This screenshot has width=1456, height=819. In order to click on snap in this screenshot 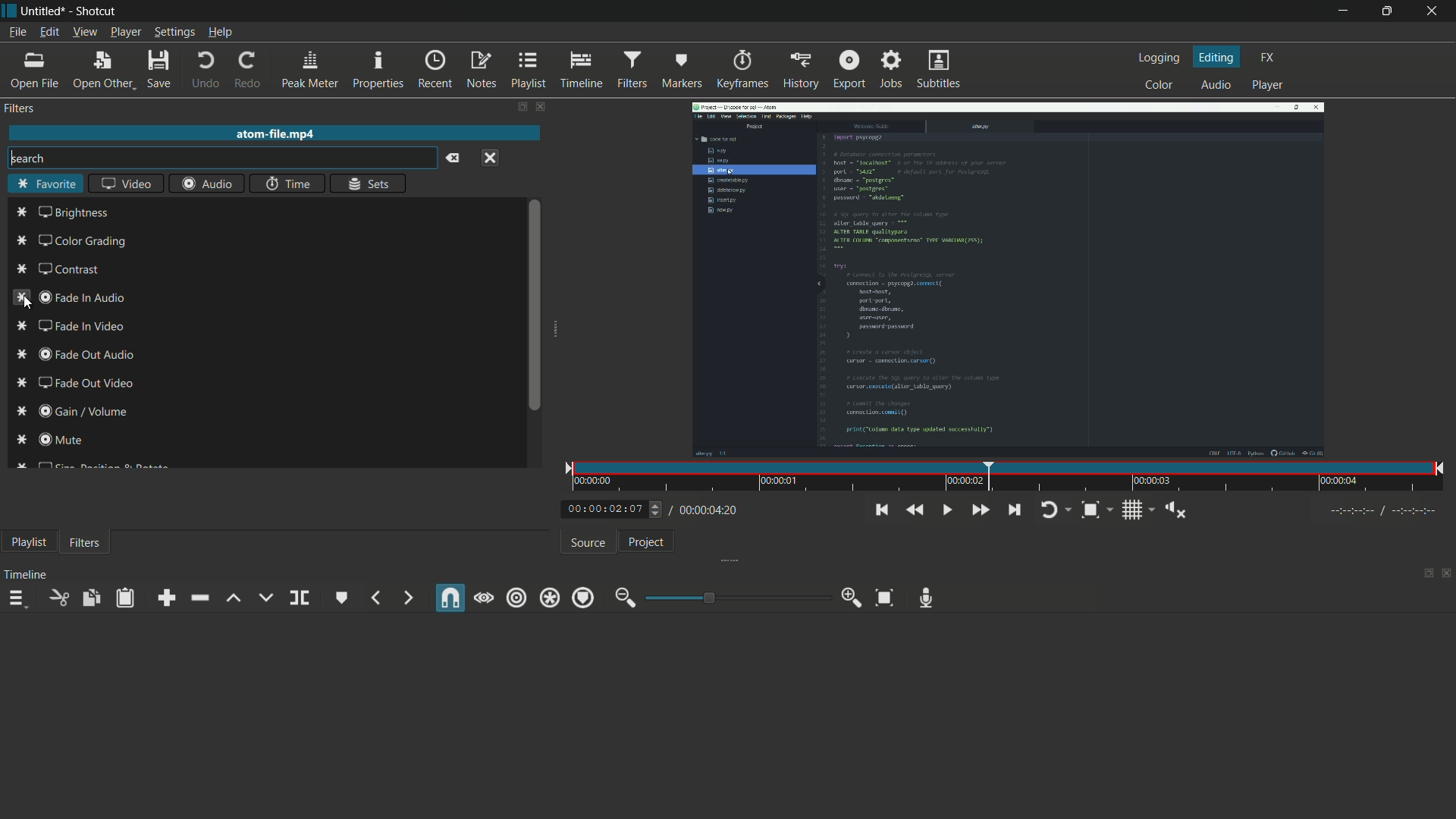, I will do `click(451, 598)`.